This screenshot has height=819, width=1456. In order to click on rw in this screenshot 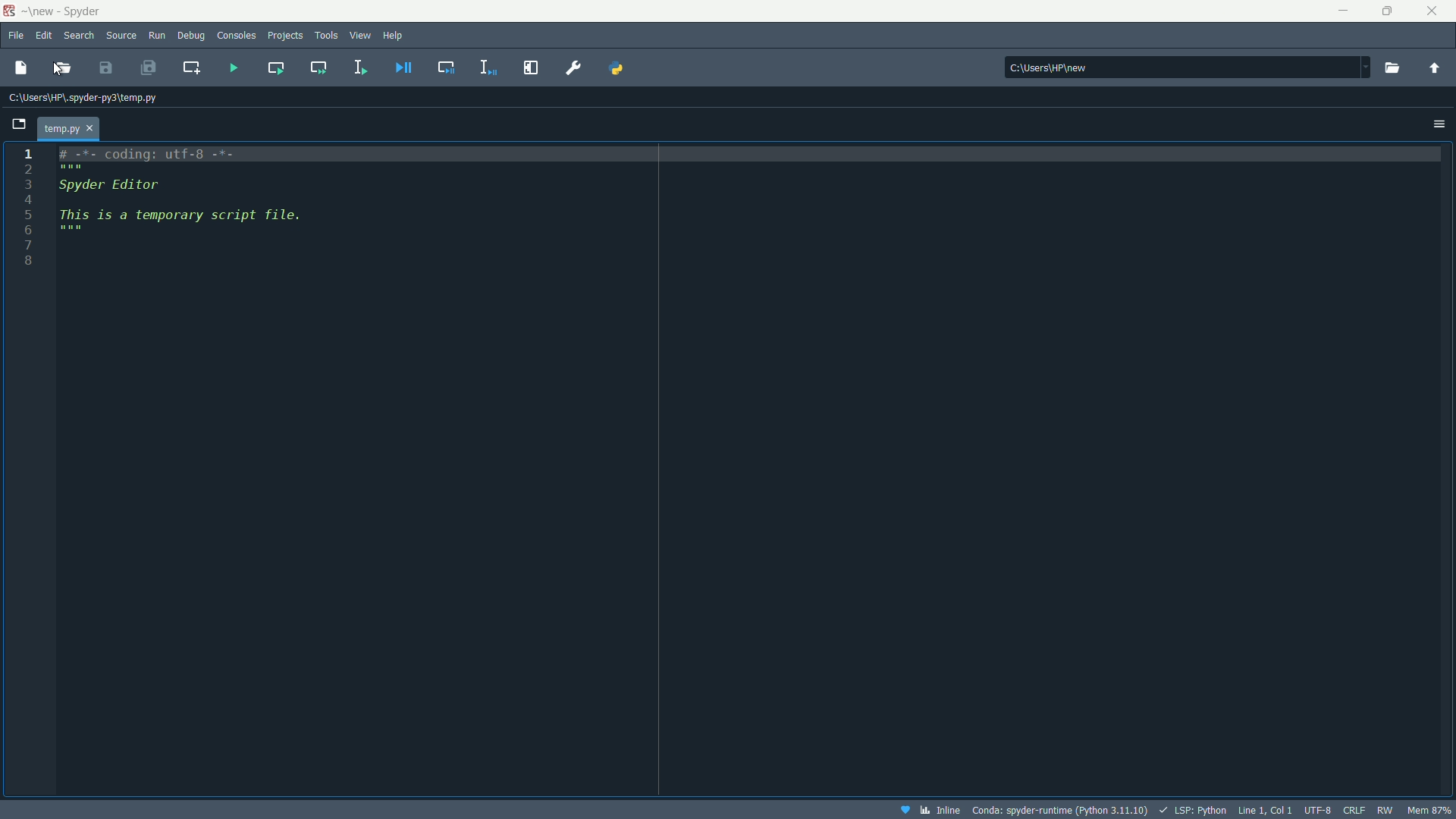, I will do `click(1386, 811)`.